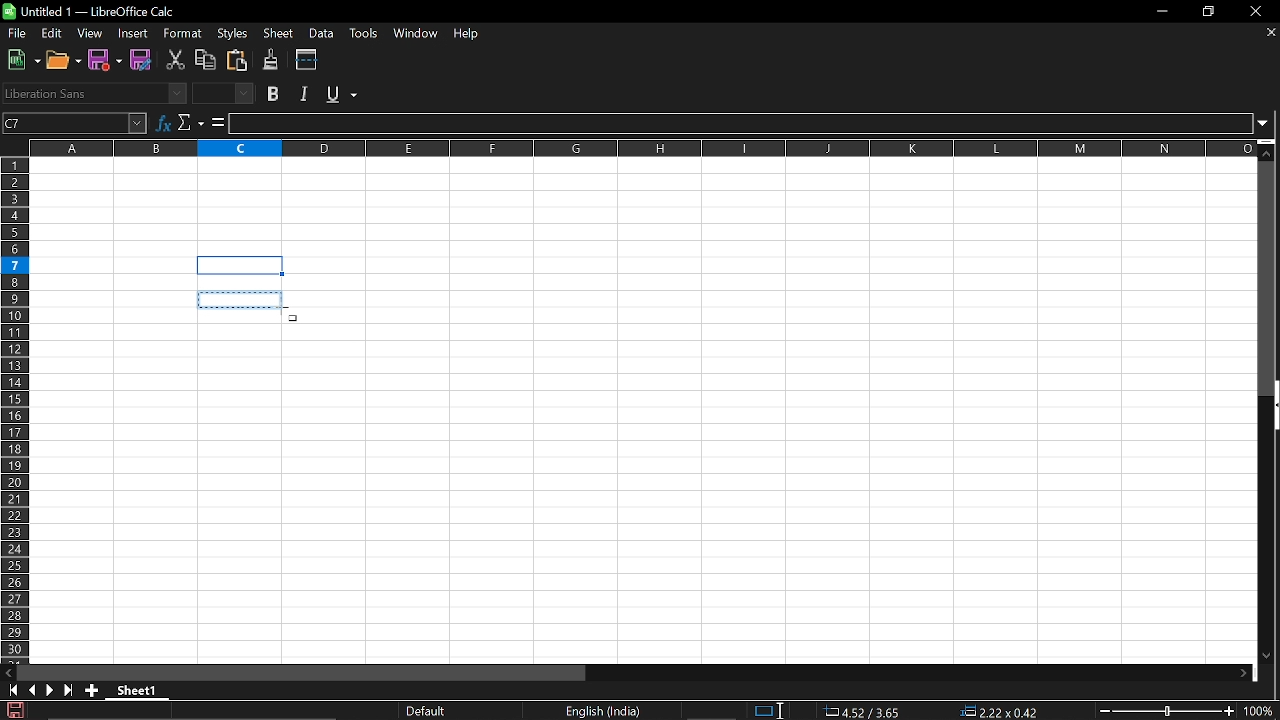 The width and height of the screenshot is (1280, 720). What do you see at coordinates (64, 60) in the screenshot?
I see `Open` at bounding box center [64, 60].